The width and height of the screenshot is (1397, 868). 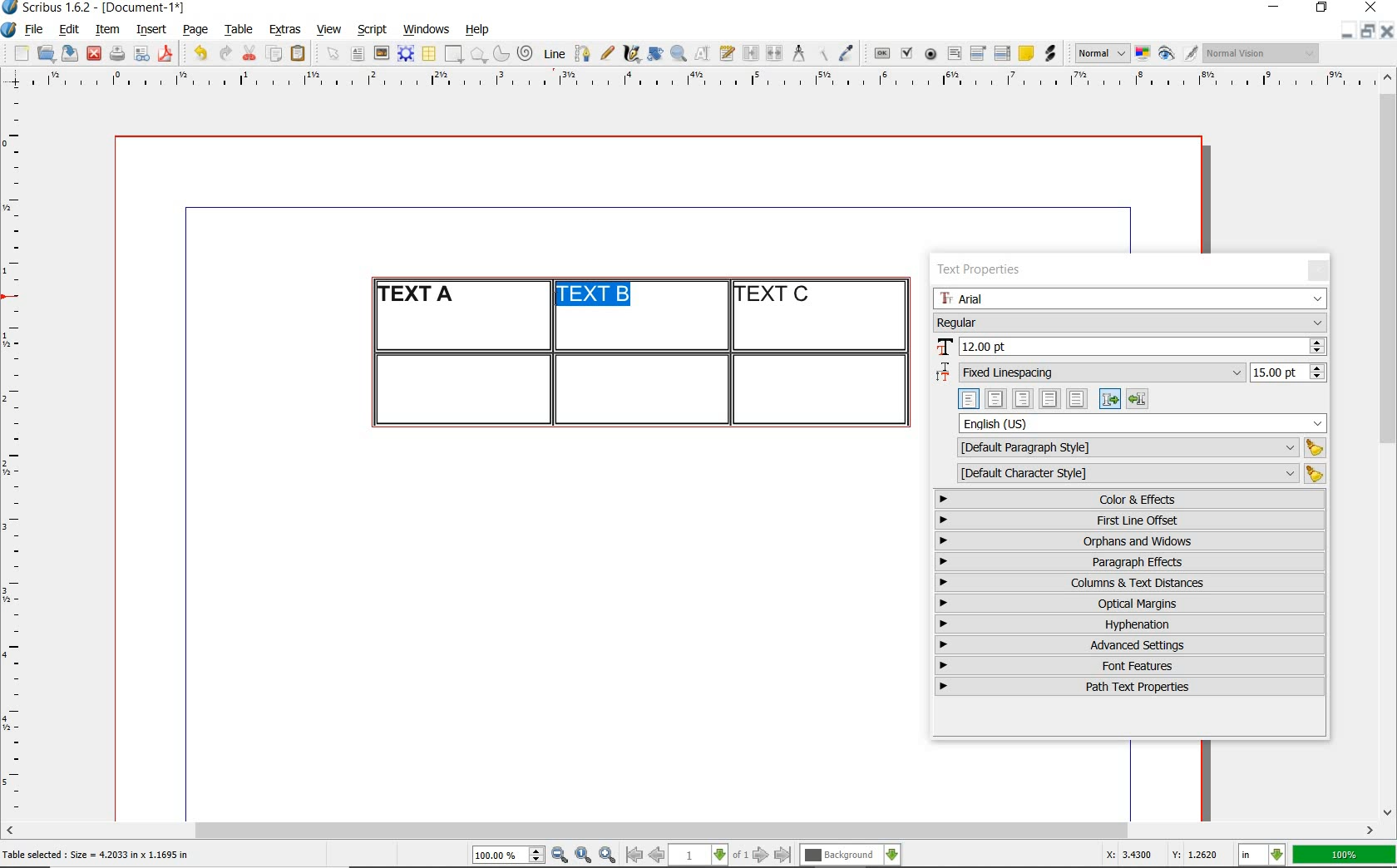 What do you see at coordinates (1144, 55) in the screenshot?
I see `toggle color management` at bounding box center [1144, 55].